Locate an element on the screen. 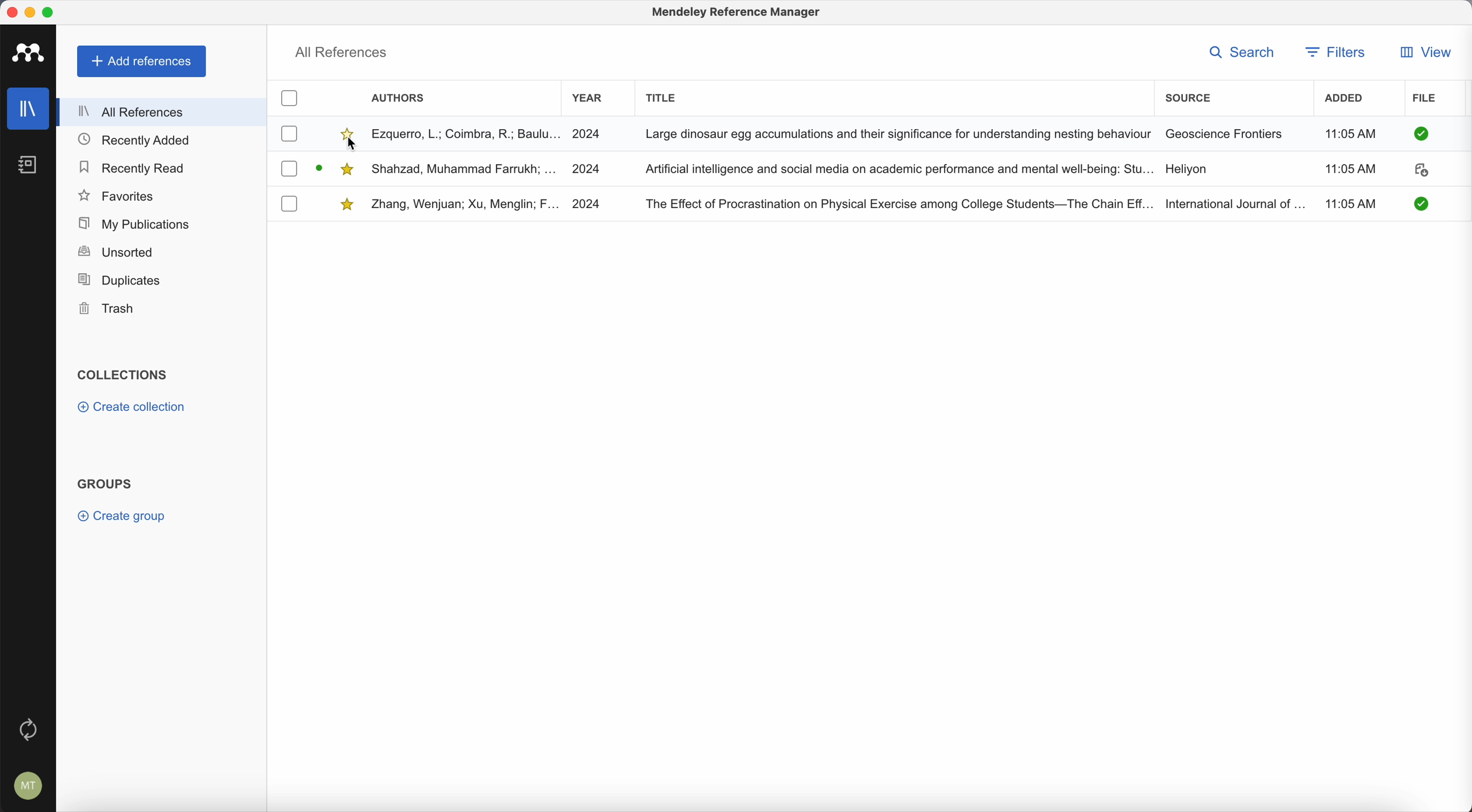  download document is located at coordinates (1421, 172).